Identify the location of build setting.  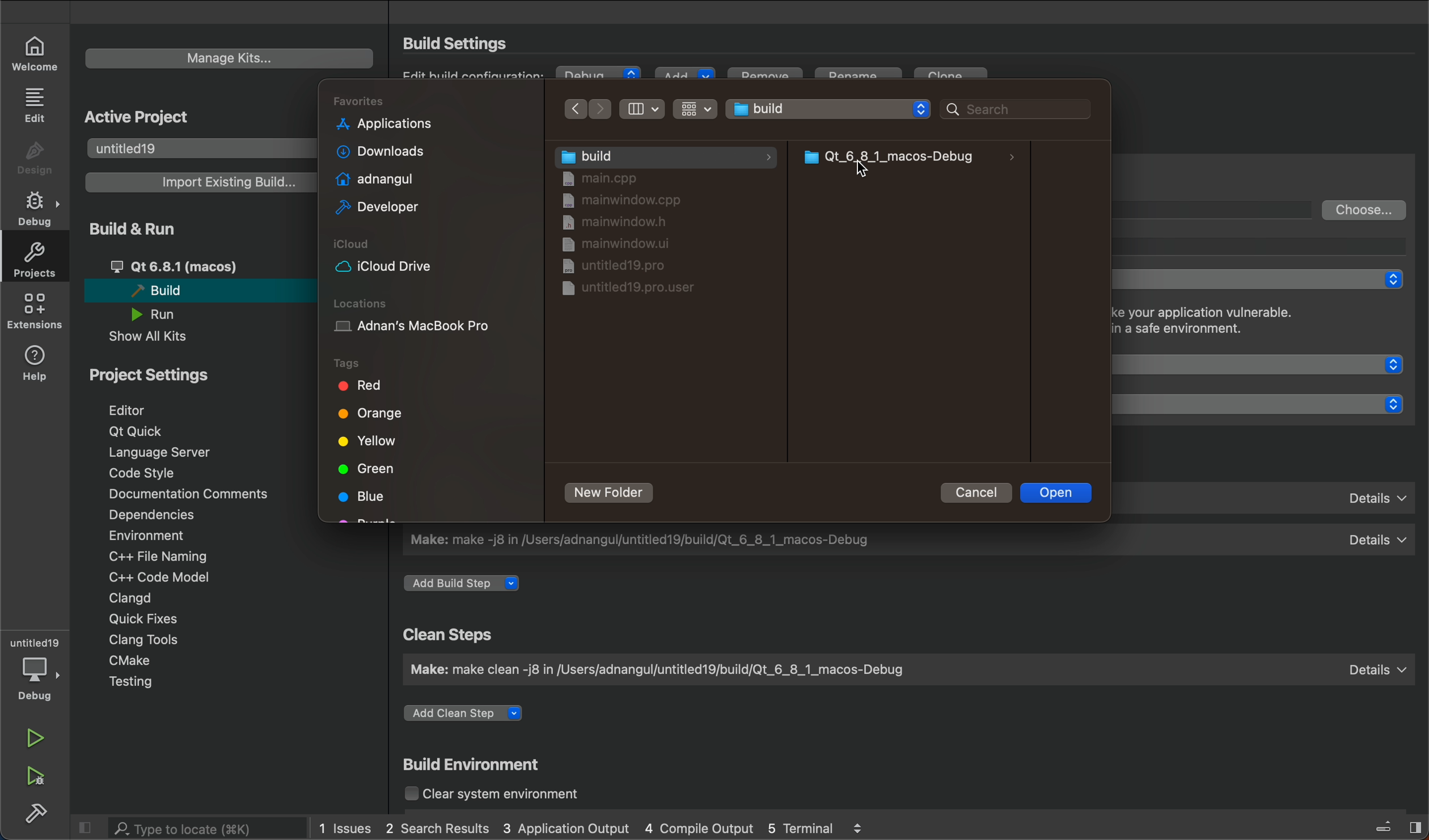
(460, 43).